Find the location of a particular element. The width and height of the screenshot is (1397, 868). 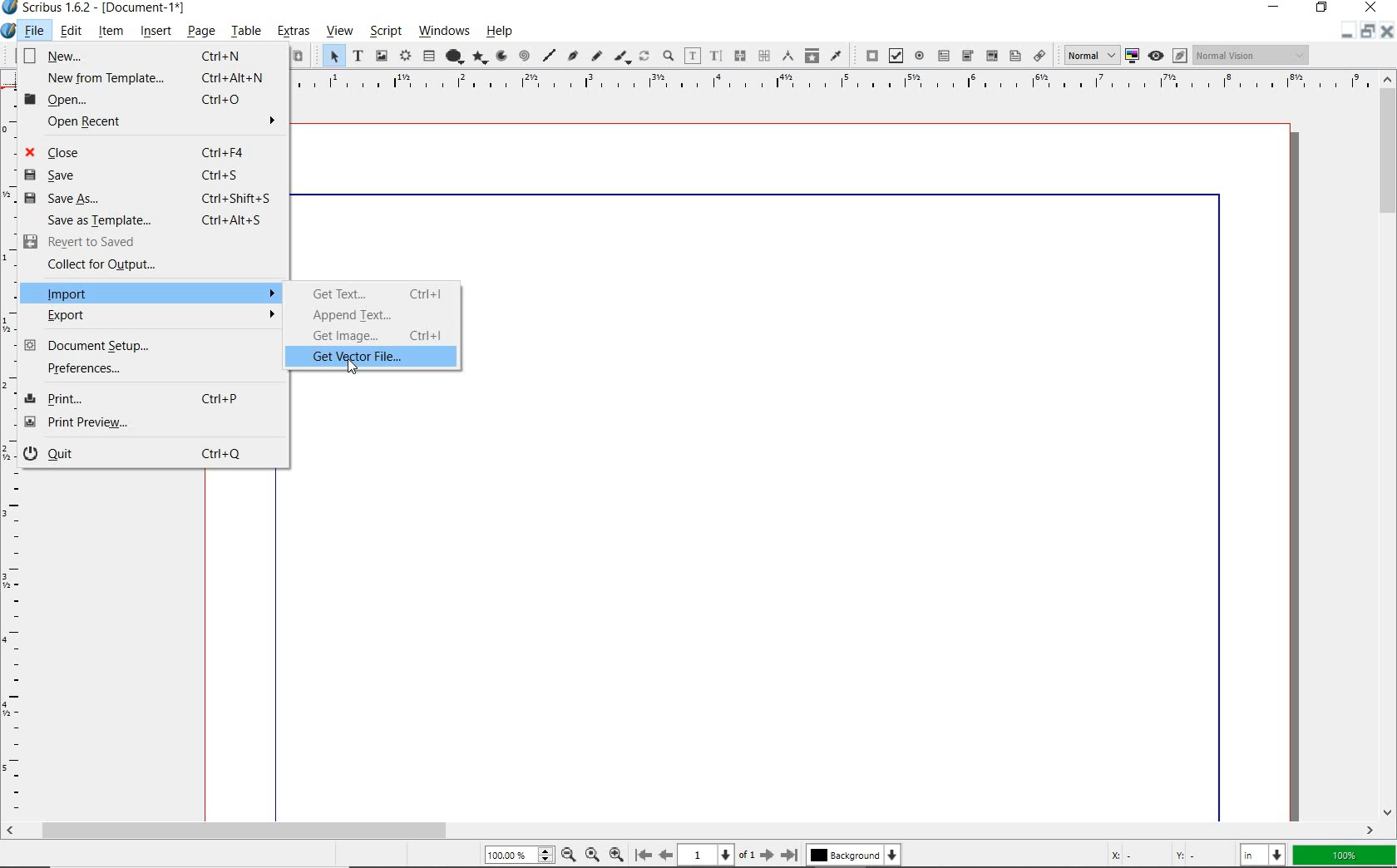

eye dropper is located at coordinates (836, 56).